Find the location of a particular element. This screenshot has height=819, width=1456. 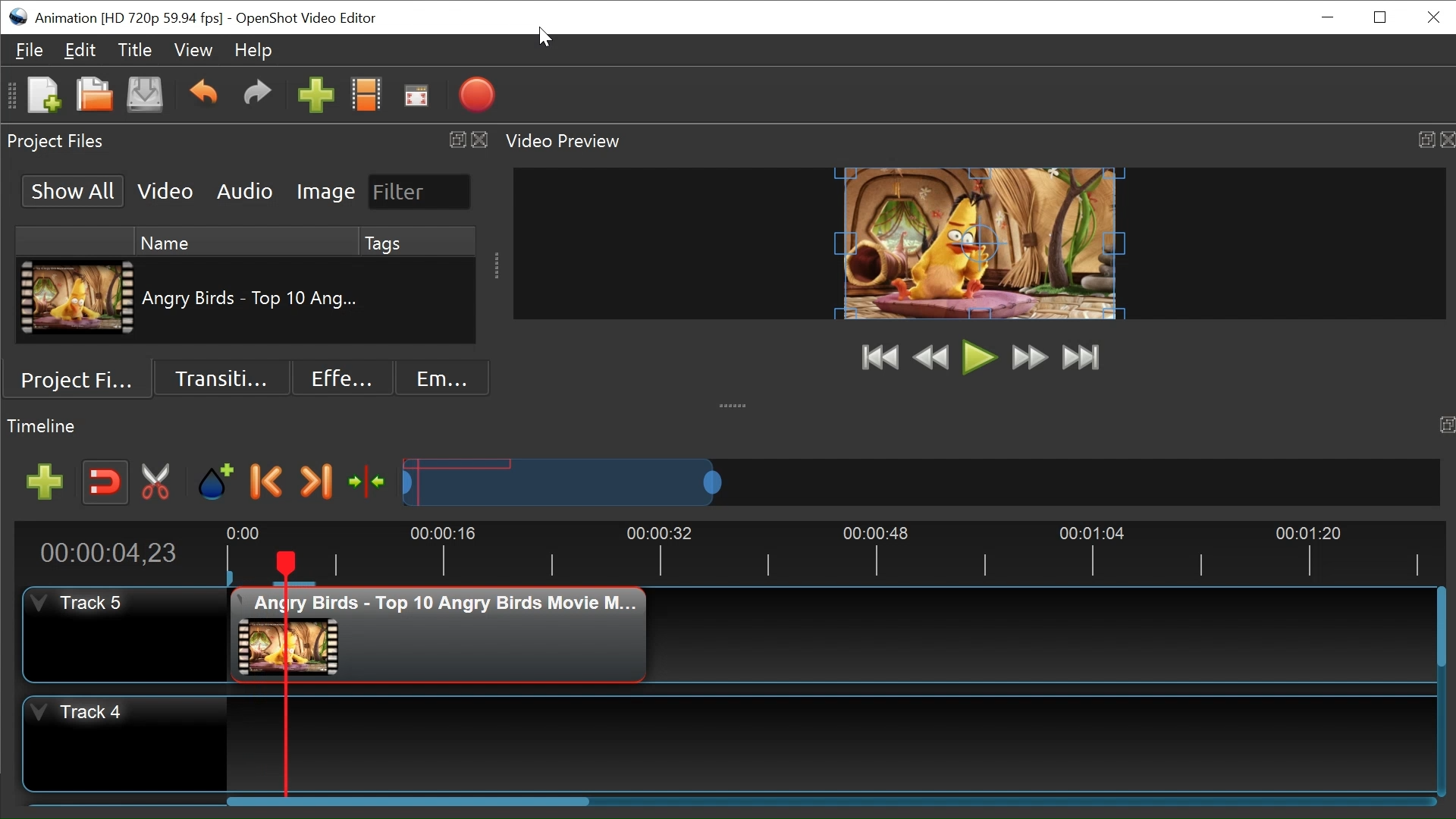

Project Files is located at coordinates (83, 378).